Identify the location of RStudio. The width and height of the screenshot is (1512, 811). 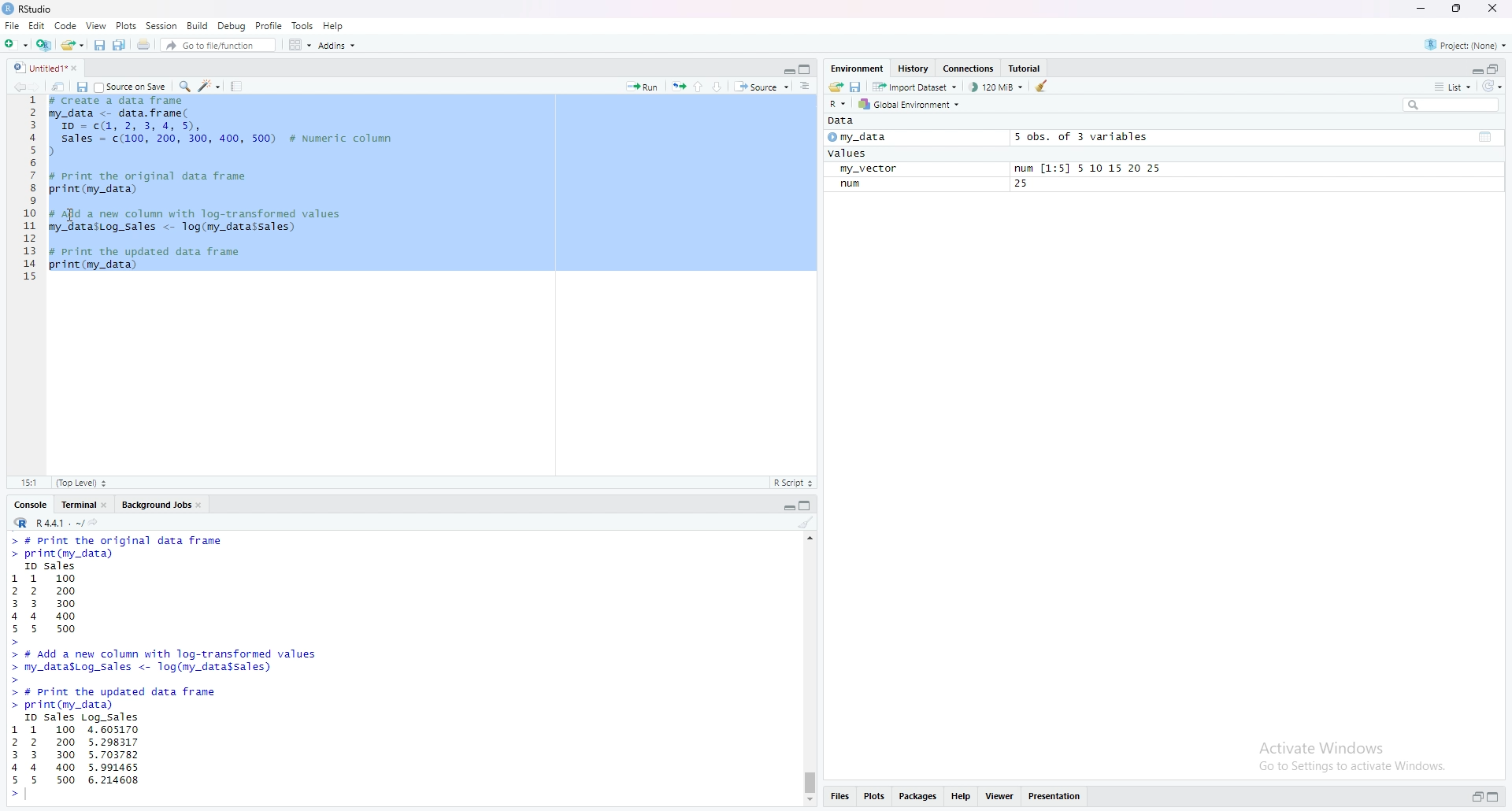
(69, 9).